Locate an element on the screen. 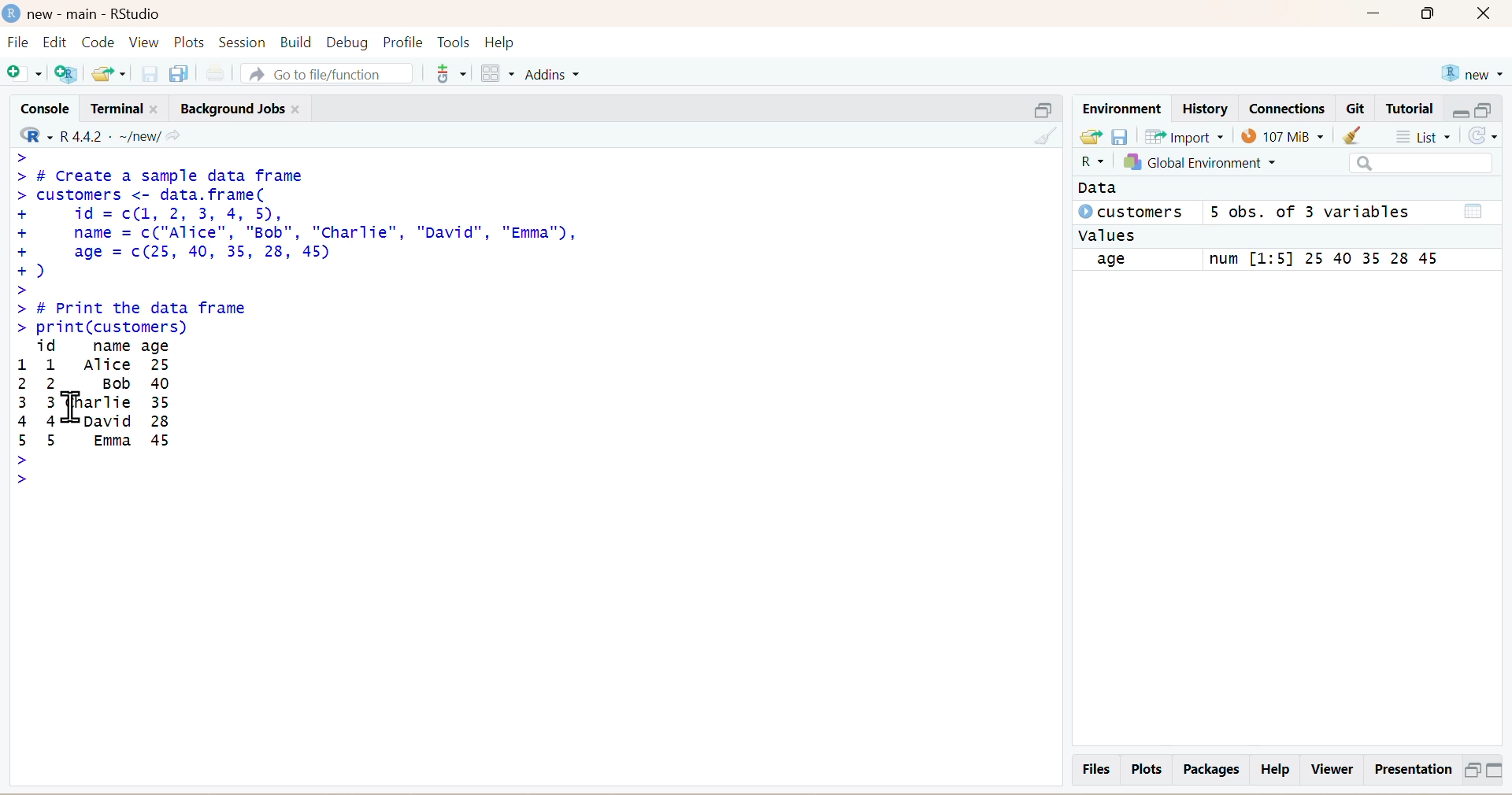 The height and width of the screenshot is (795, 1512). Clear Objects from workspaces is located at coordinates (1366, 136).